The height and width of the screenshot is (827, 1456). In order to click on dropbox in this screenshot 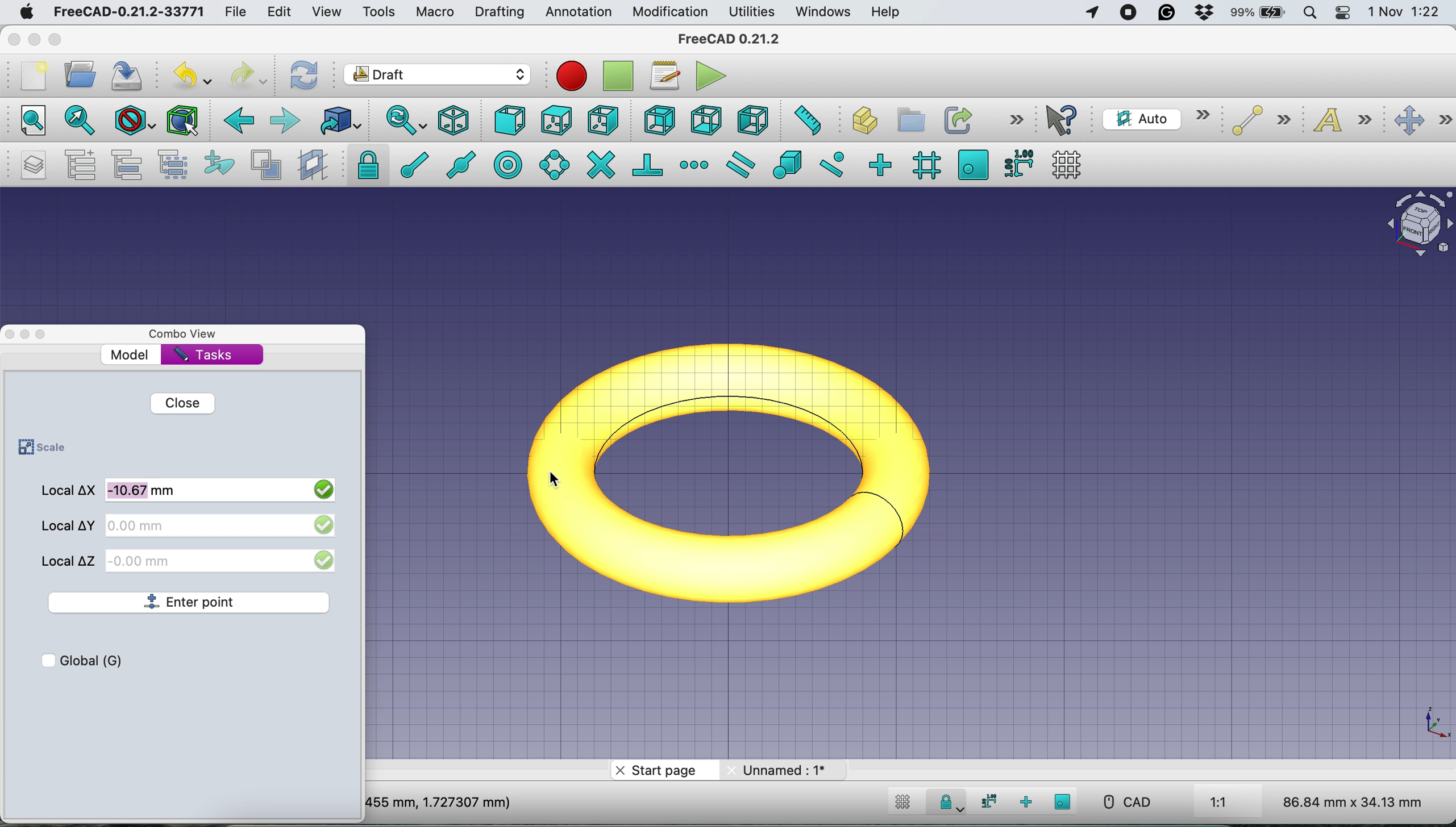, I will do `click(1203, 12)`.